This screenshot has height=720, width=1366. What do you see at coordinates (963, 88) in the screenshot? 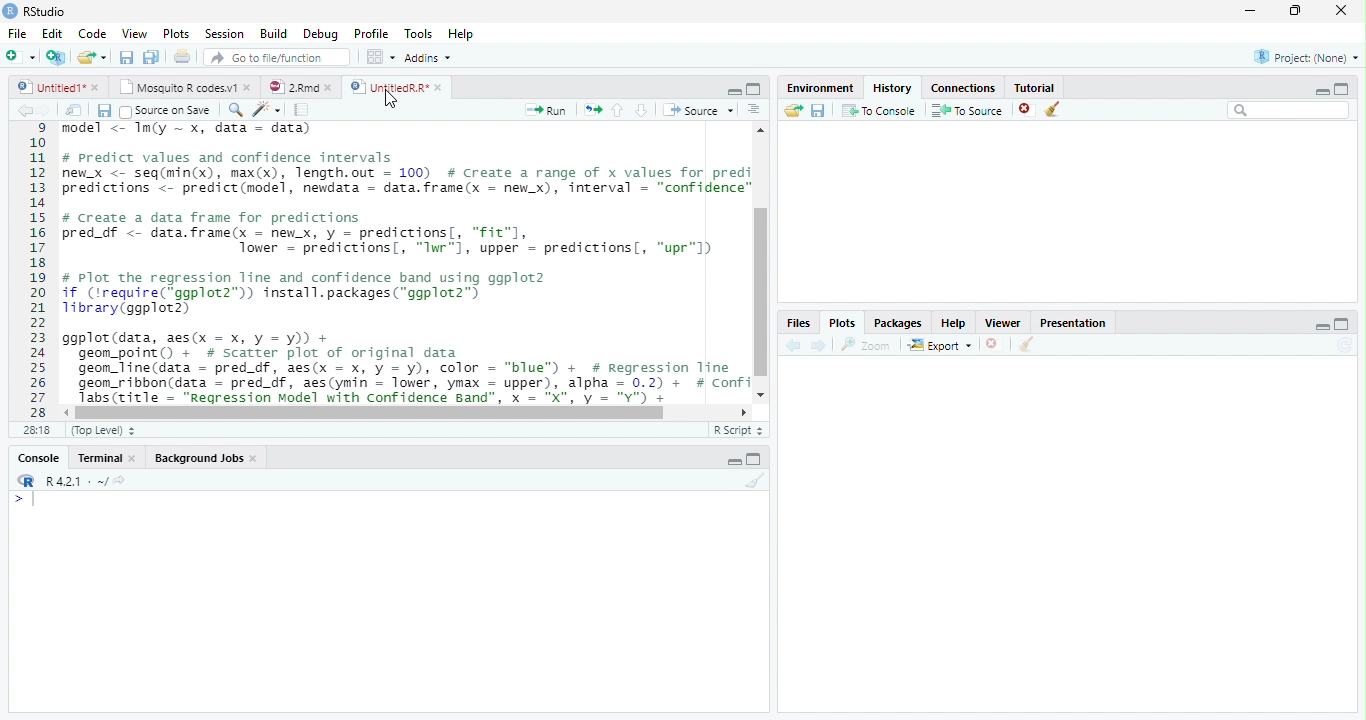
I see `Connection` at bounding box center [963, 88].